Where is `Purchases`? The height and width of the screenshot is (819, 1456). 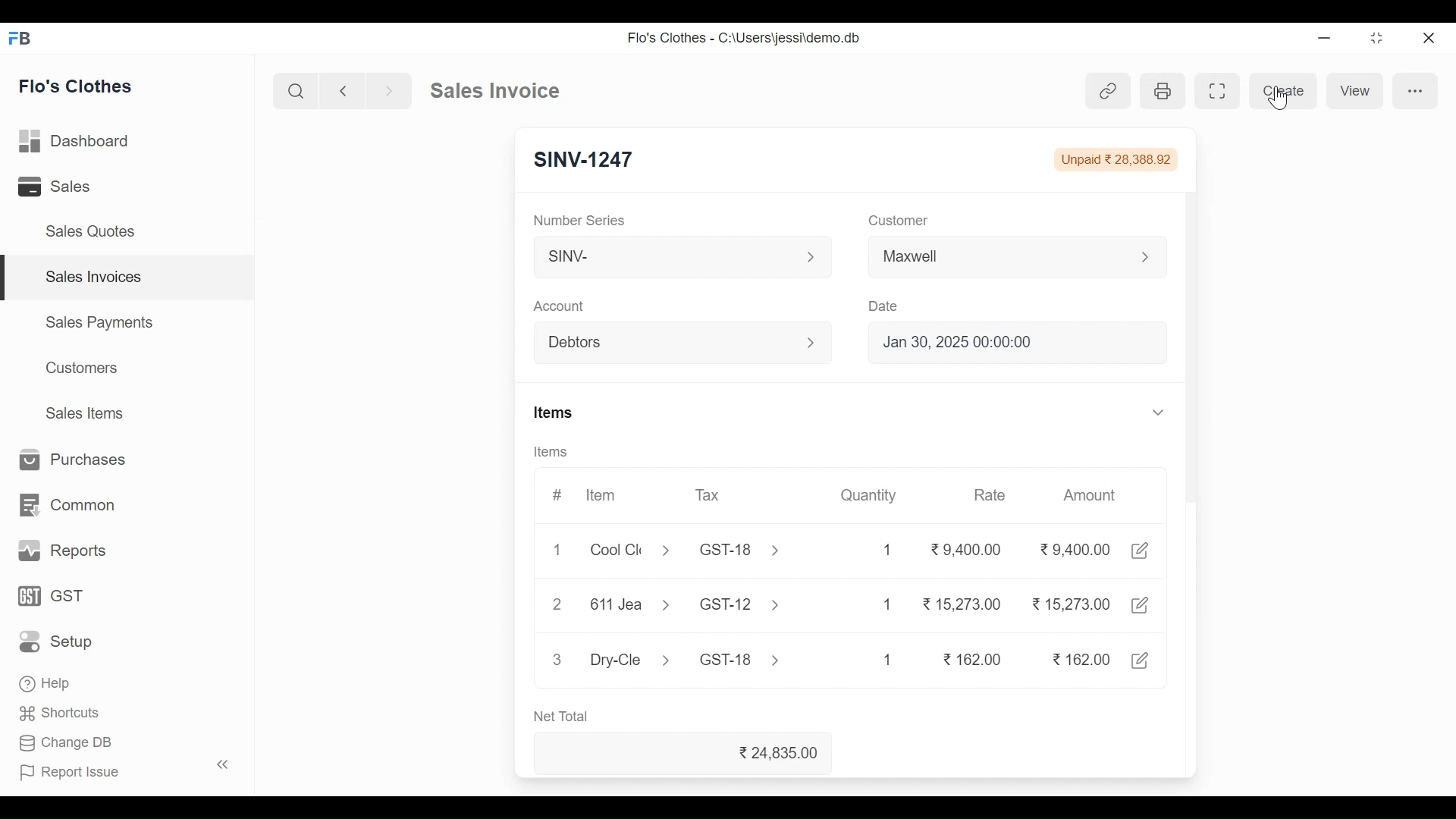
Purchases is located at coordinates (67, 460).